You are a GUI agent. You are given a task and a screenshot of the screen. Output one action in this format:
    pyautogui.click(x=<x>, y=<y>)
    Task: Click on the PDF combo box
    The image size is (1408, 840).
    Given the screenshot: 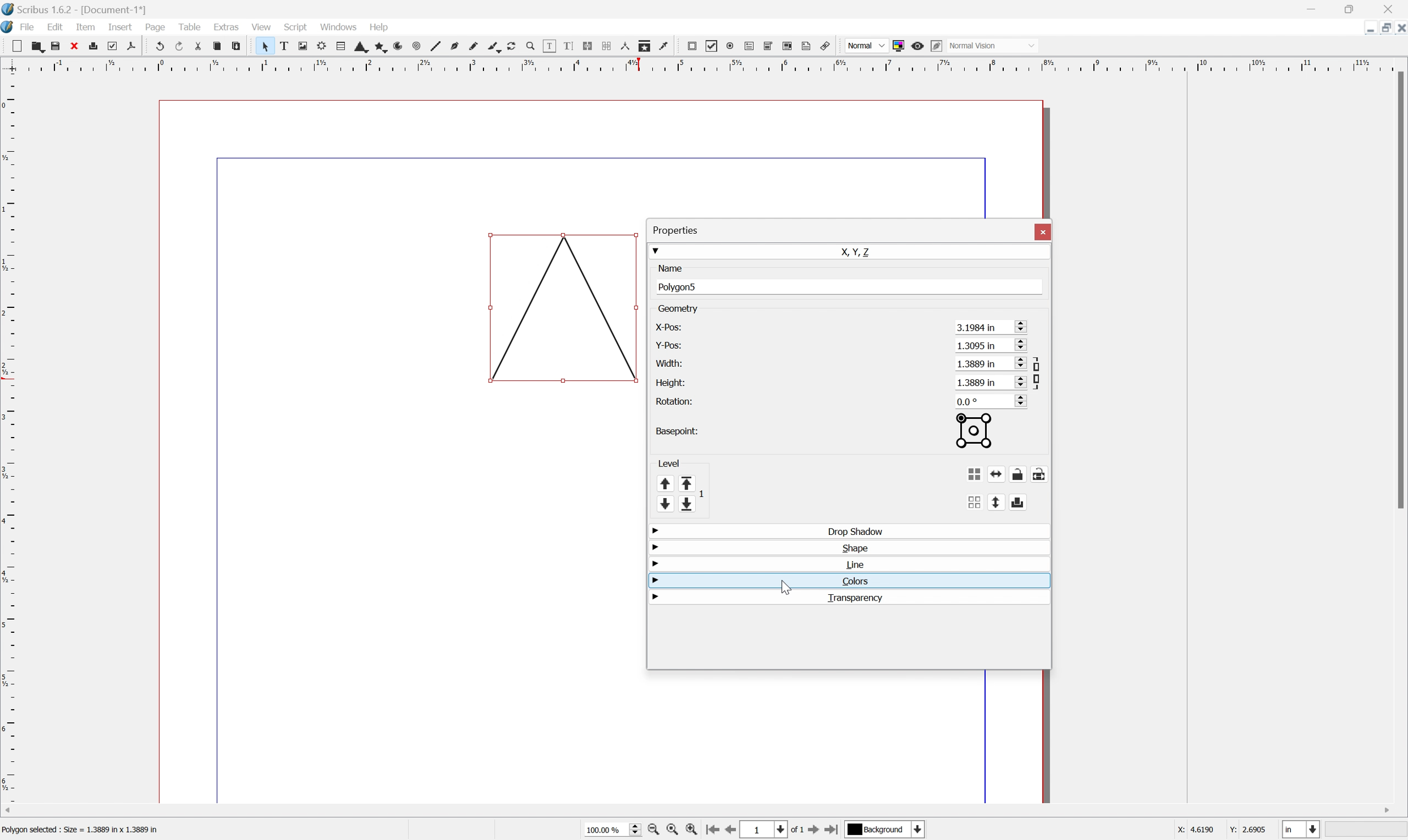 What is the action you would take?
    pyautogui.click(x=768, y=46)
    